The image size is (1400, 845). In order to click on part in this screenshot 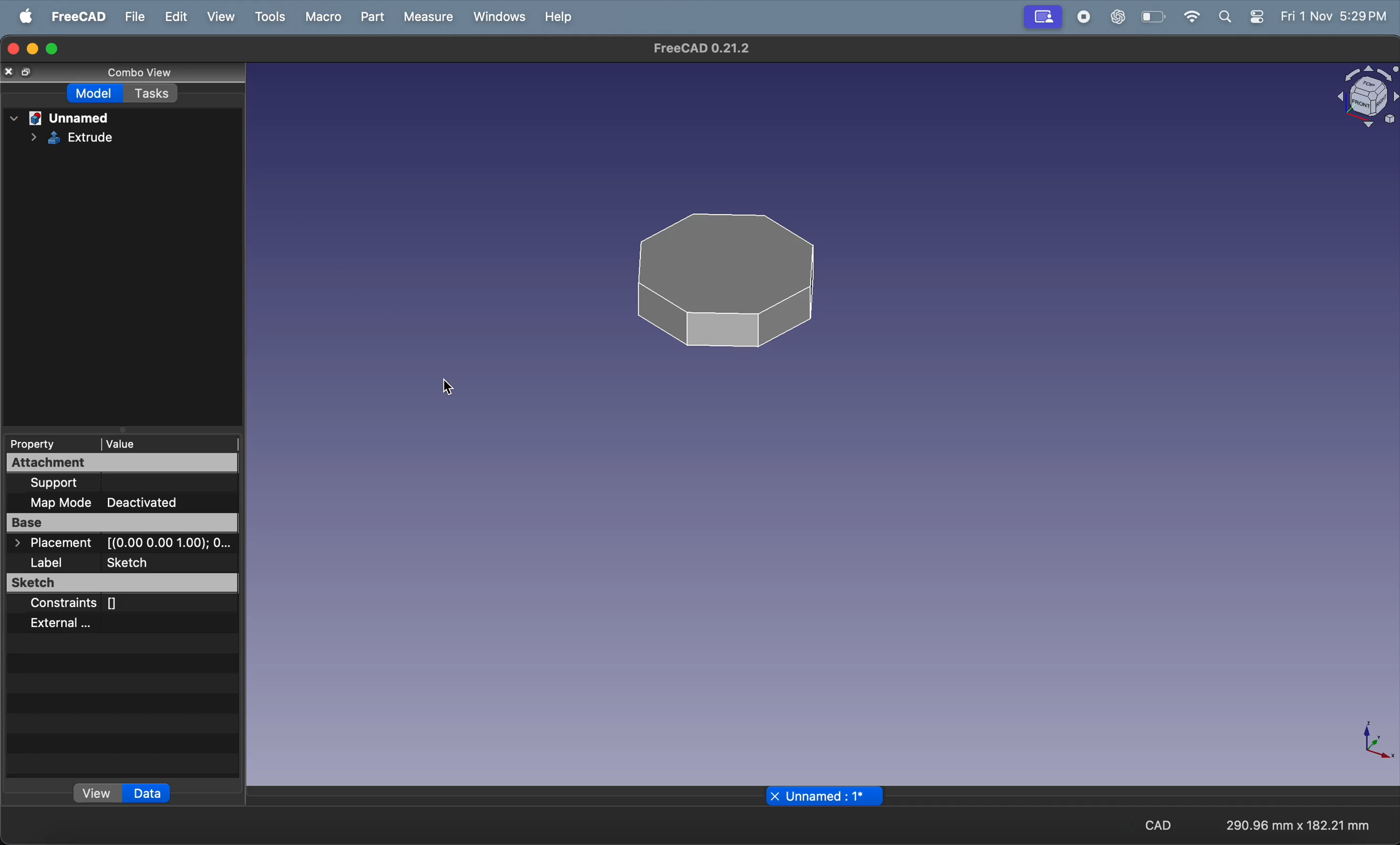, I will do `click(368, 20)`.